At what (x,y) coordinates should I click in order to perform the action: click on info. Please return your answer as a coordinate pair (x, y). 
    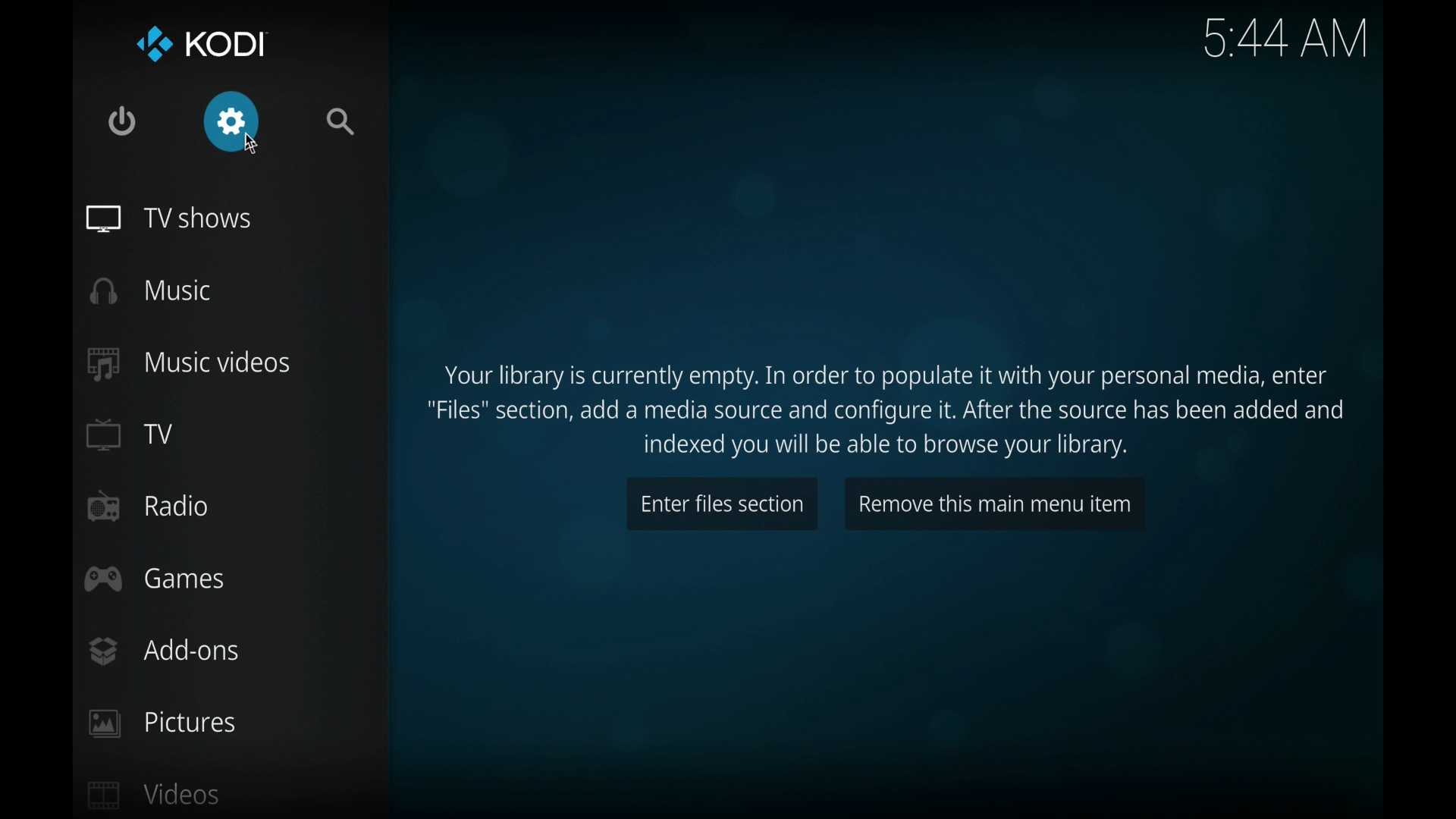
    Looking at the image, I should click on (888, 410).